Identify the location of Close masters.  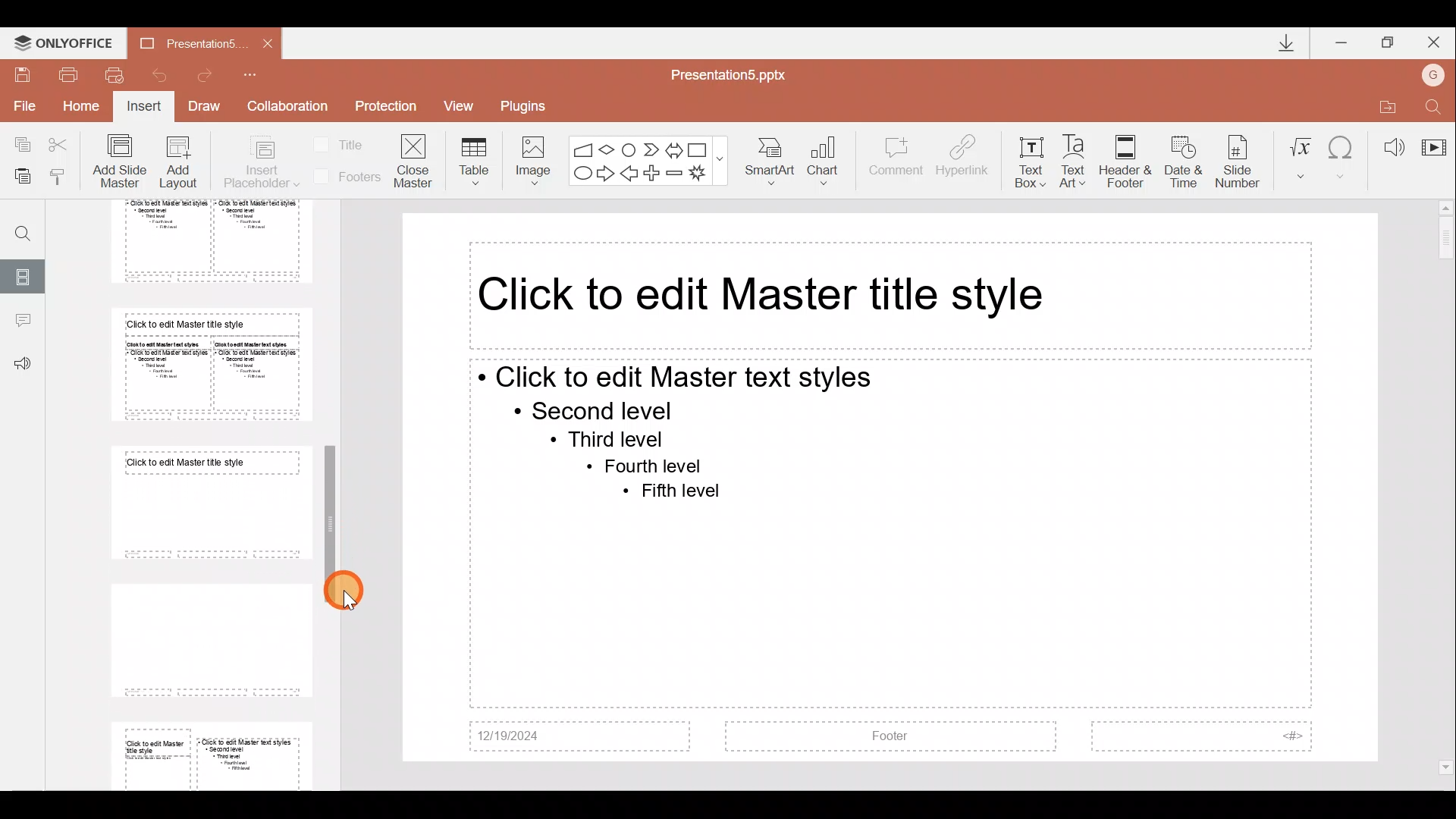
(415, 160).